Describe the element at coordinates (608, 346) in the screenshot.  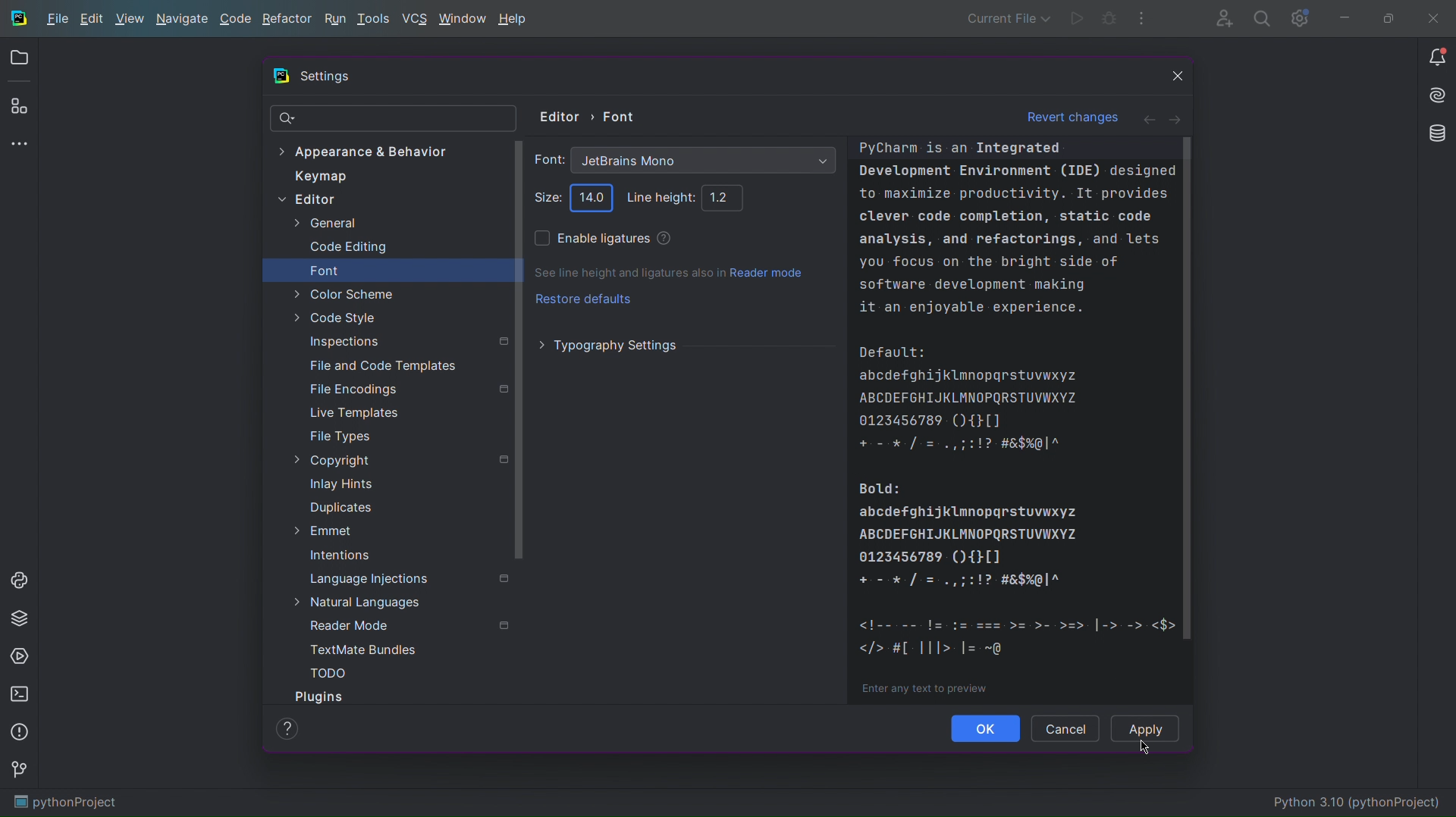
I see `Typography` at that location.